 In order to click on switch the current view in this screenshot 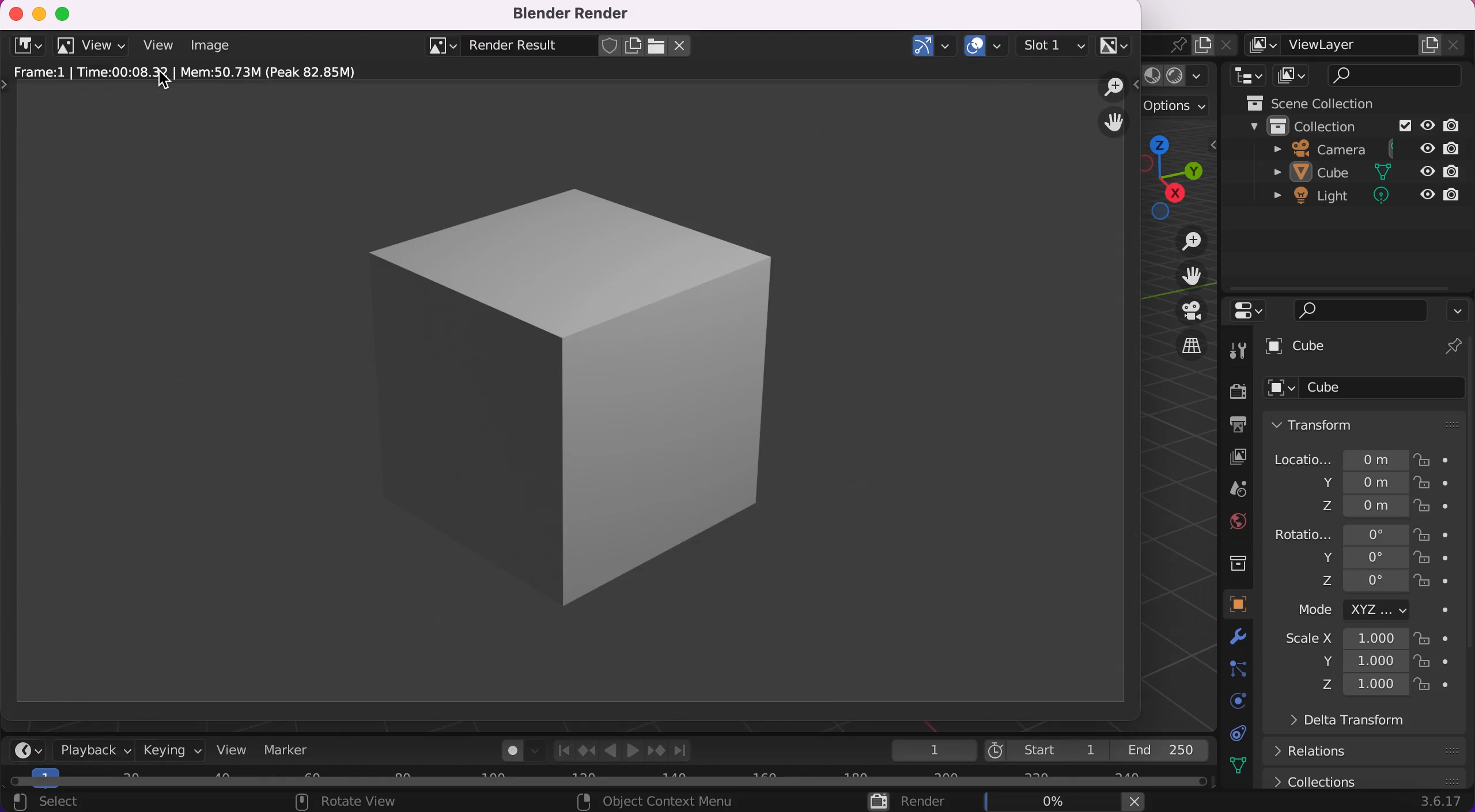, I will do `click(1189, 343)`.